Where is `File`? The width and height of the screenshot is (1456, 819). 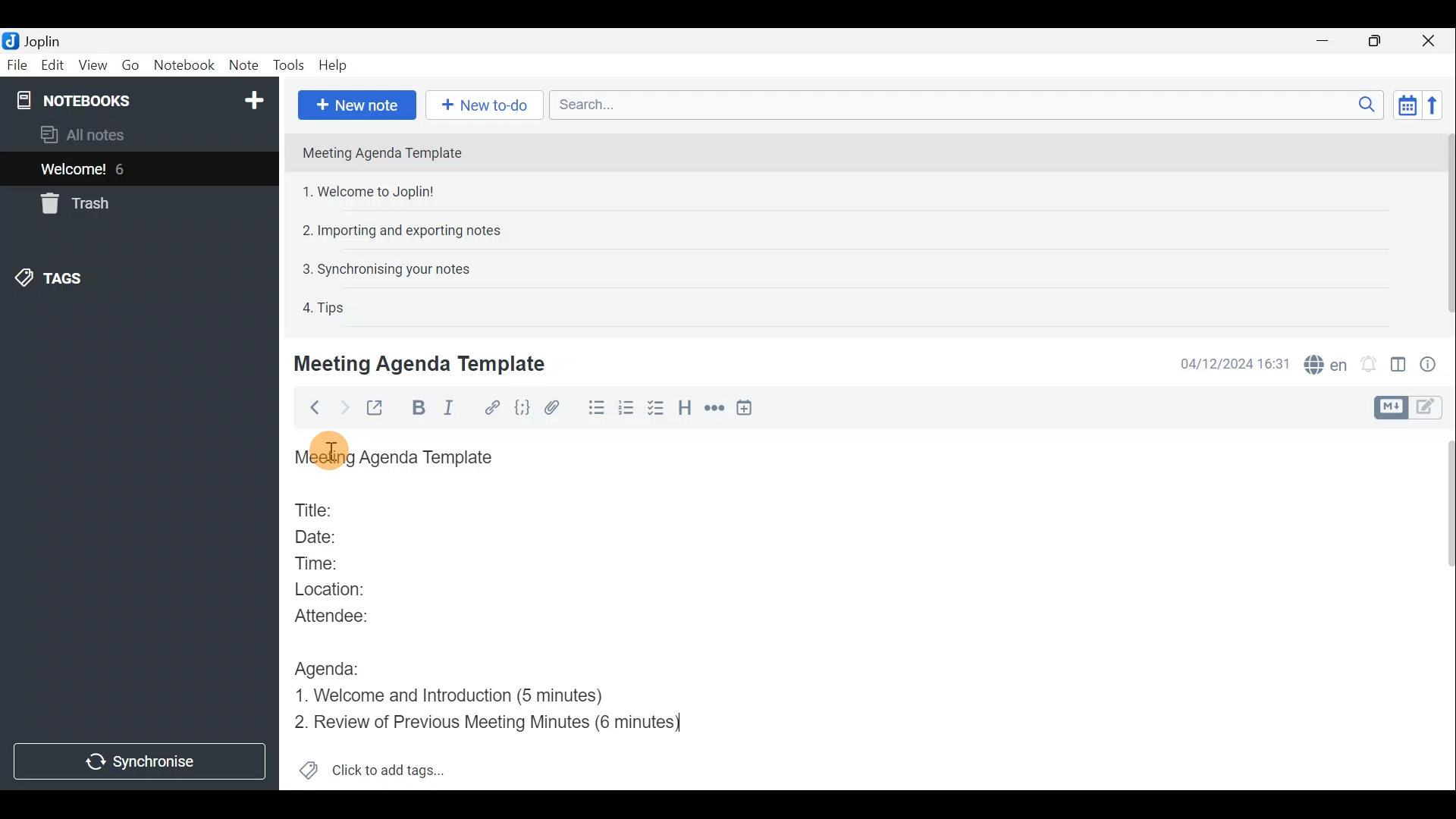
File is located at coordinates (17, 64).